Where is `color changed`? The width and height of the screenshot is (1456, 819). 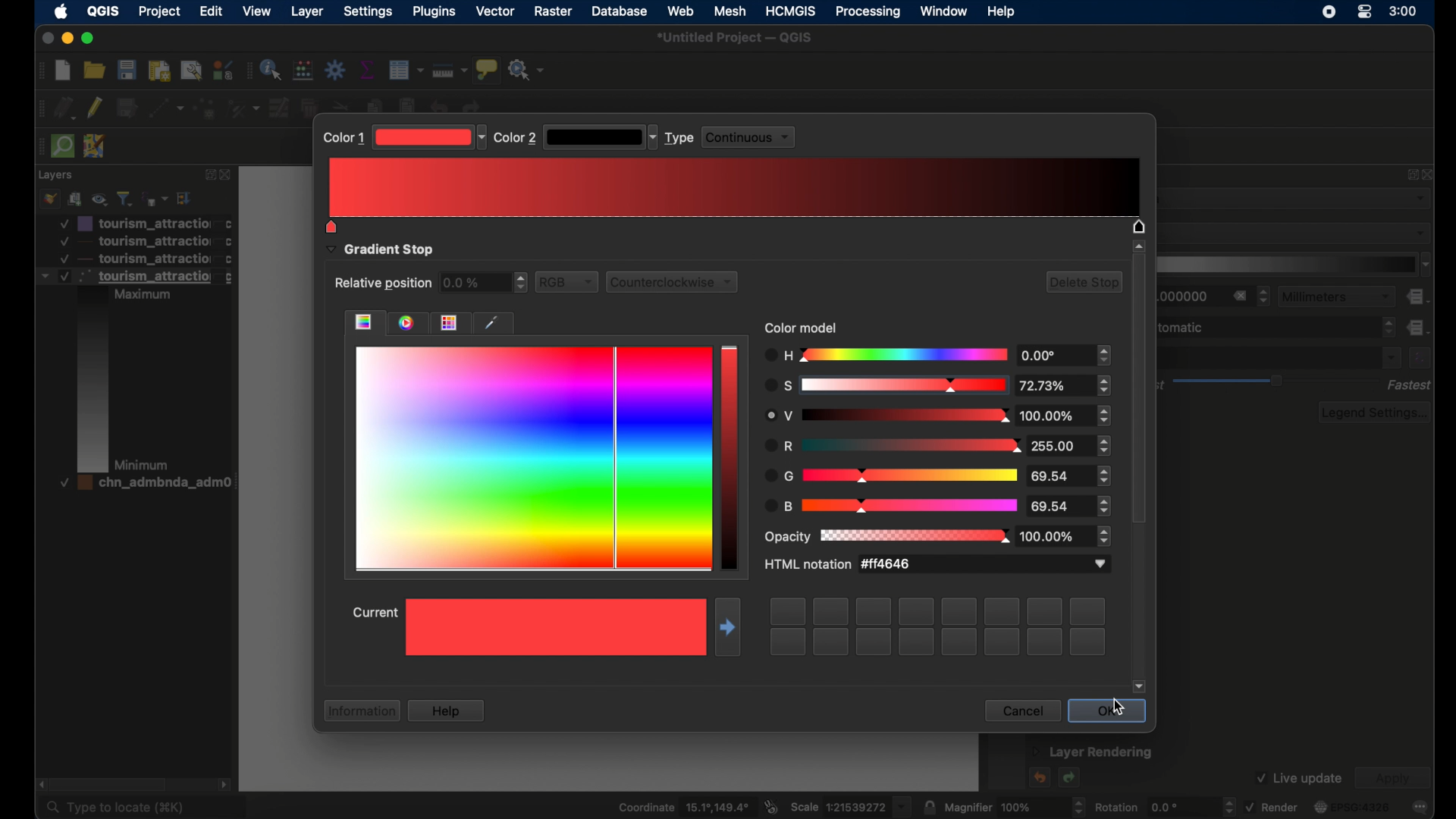 color changed is located at coordinates (914, 535).